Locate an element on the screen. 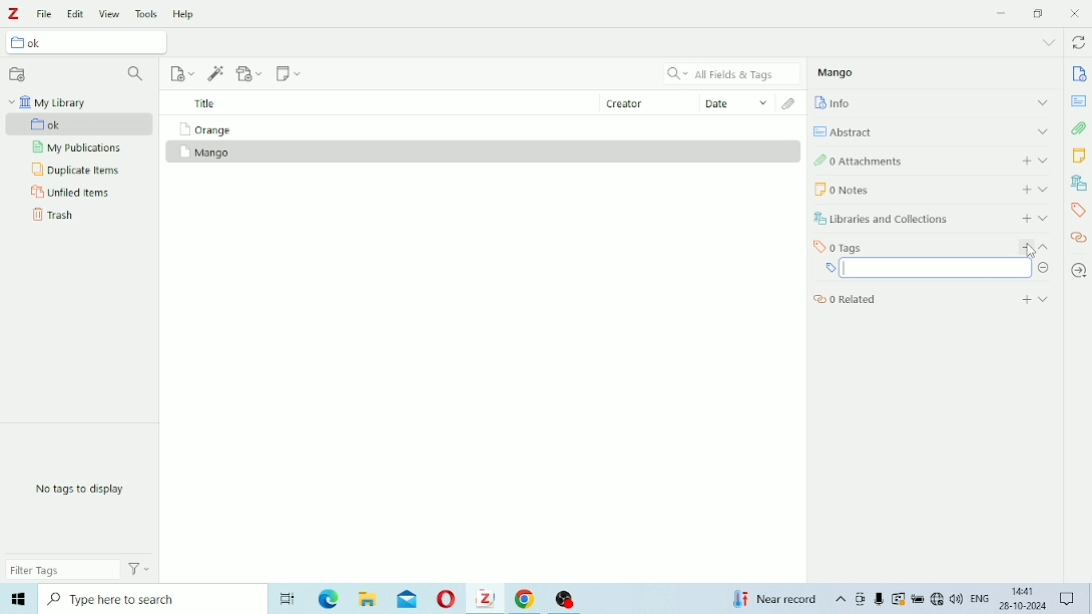  Logo is located at coordinates (14, 15).